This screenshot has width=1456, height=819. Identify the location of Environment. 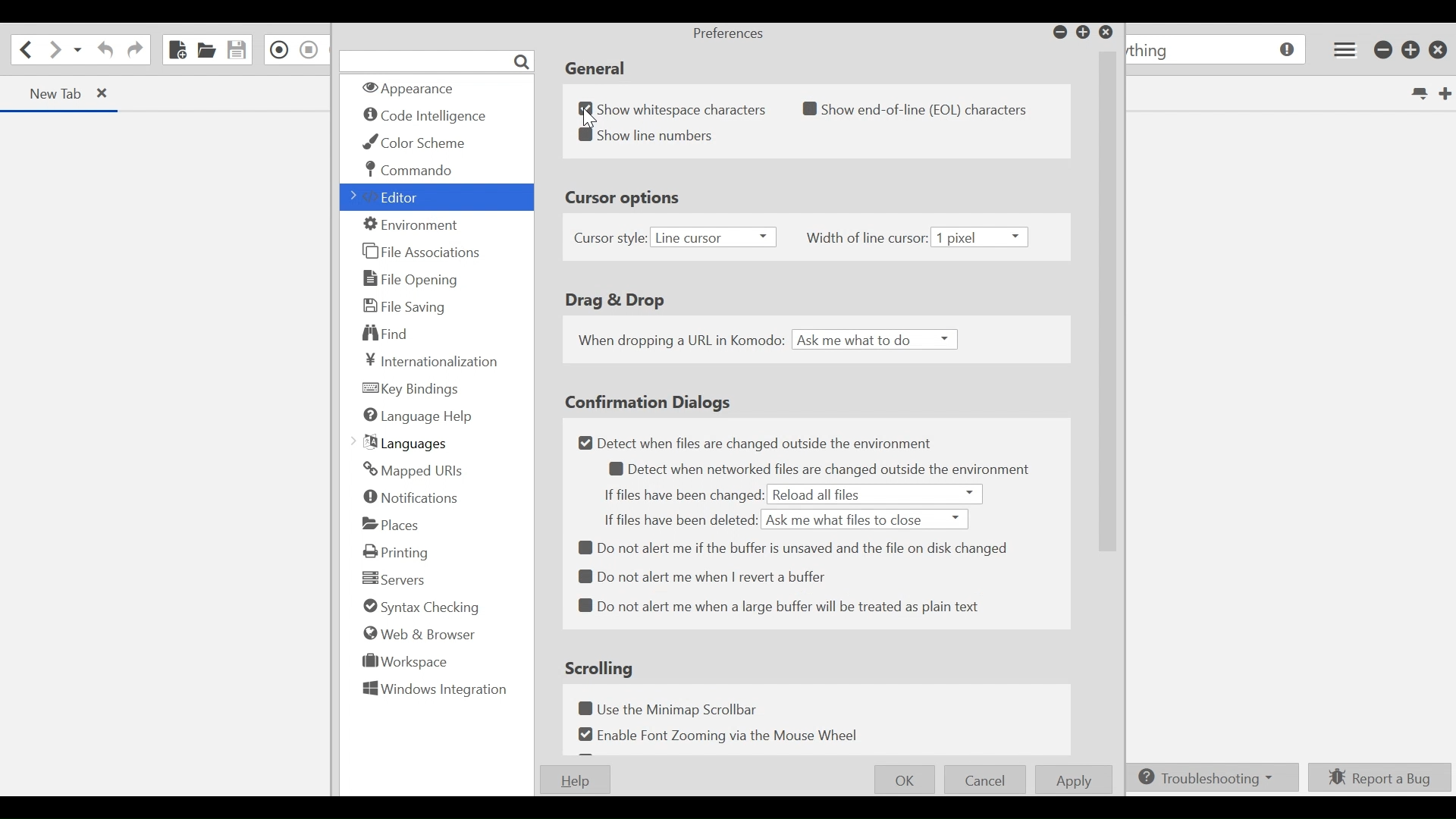
(415, 225).